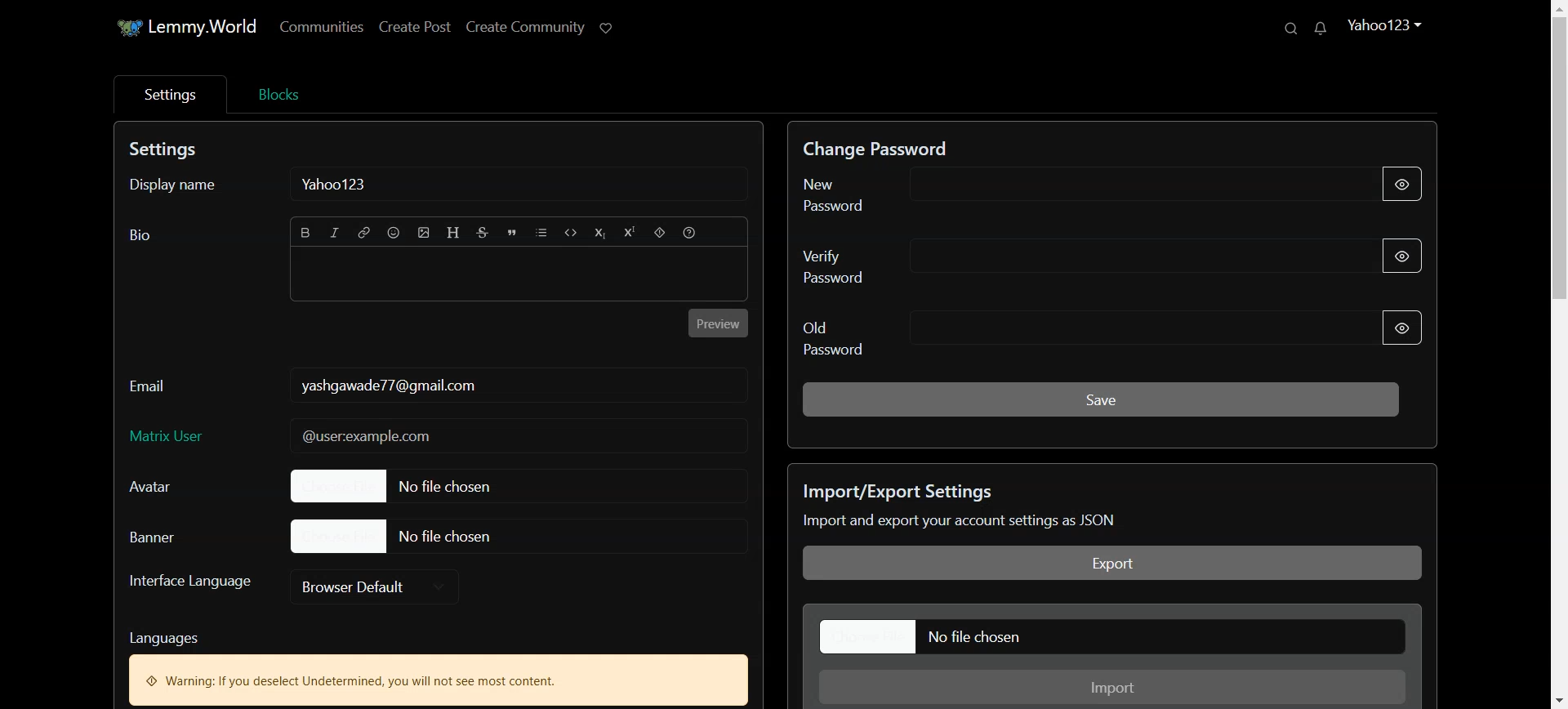 The height and width of the screenshot is (709, 1568). Describe the element at coordinates (572, 234) in the screenshot. I see `Code` at that location.